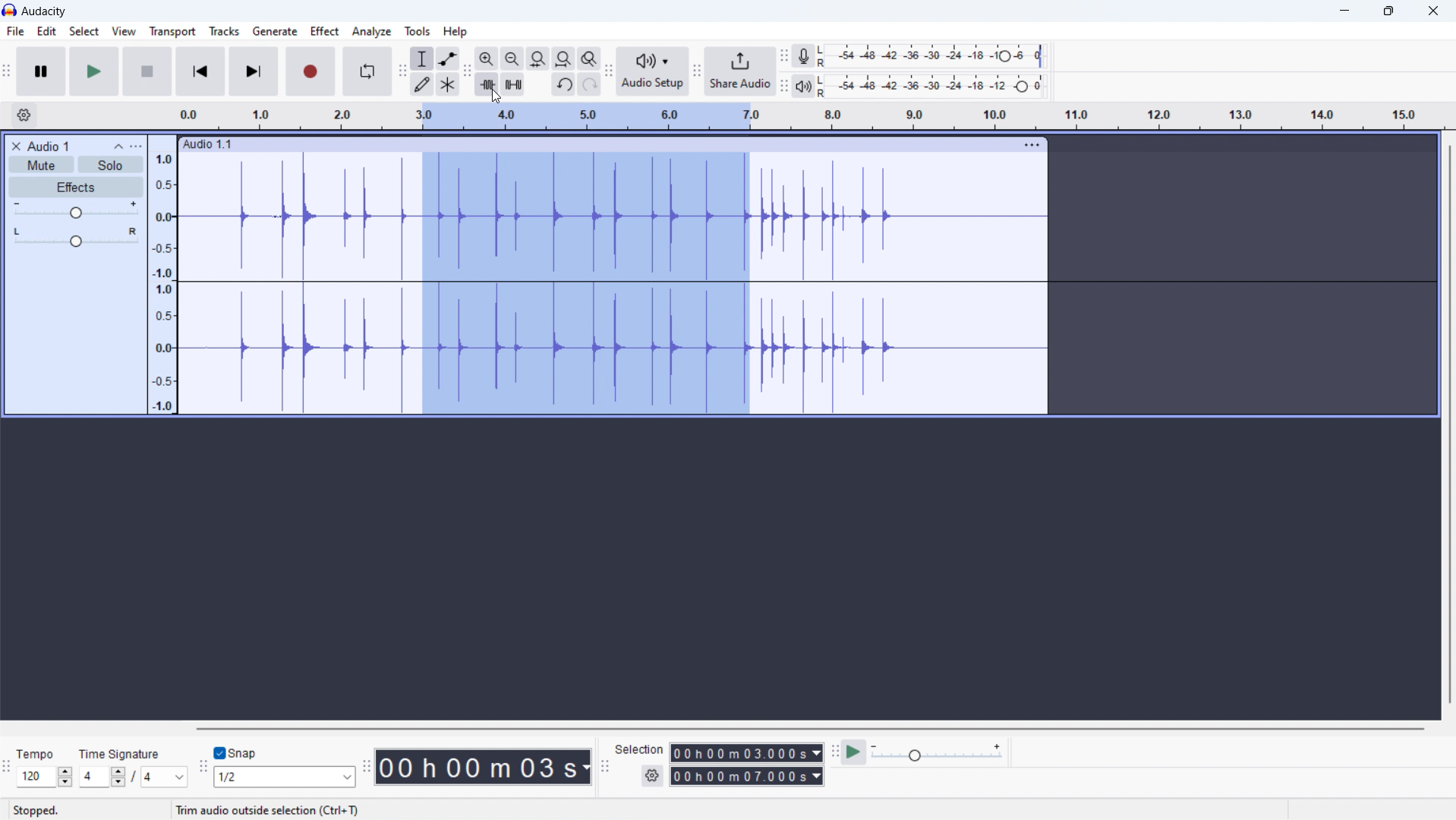  Describe the element at coordinates (1431, 11) in the screenshot. I see `close` at that location.